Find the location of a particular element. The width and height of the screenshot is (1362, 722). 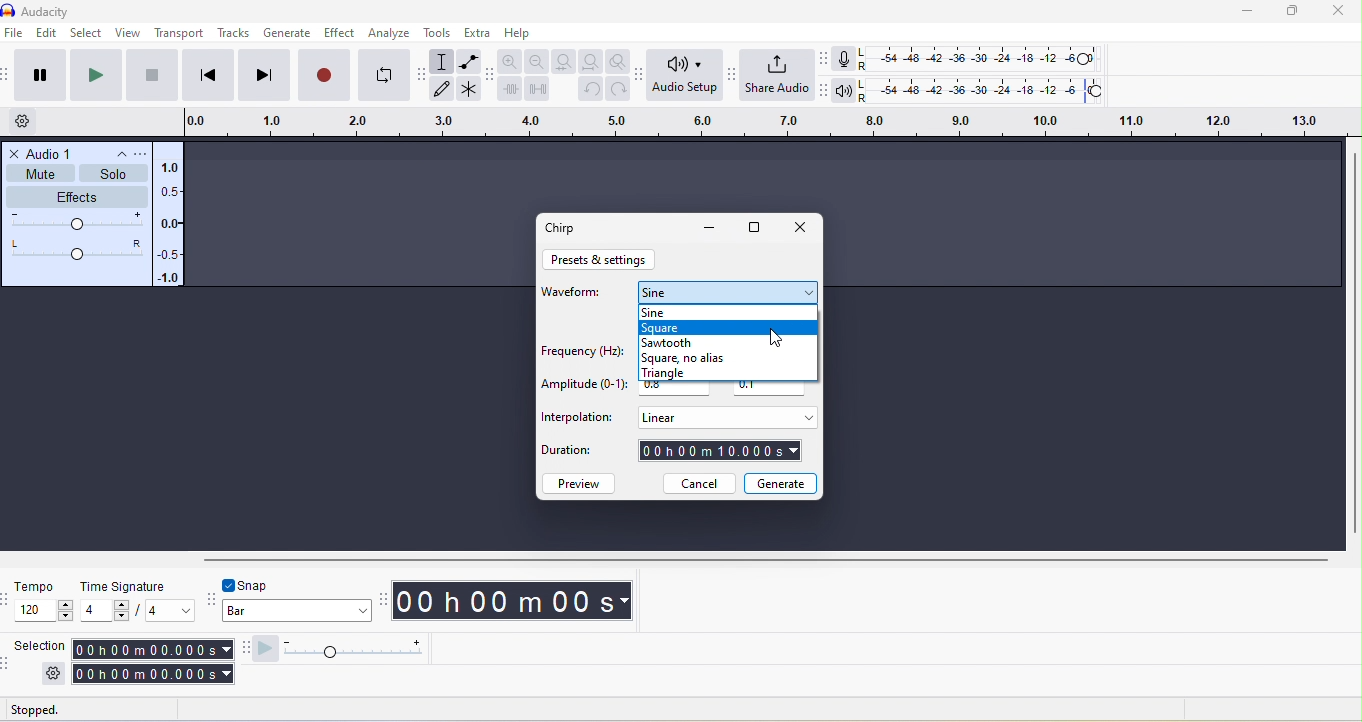

time signature is located at coordinates (120, 585).